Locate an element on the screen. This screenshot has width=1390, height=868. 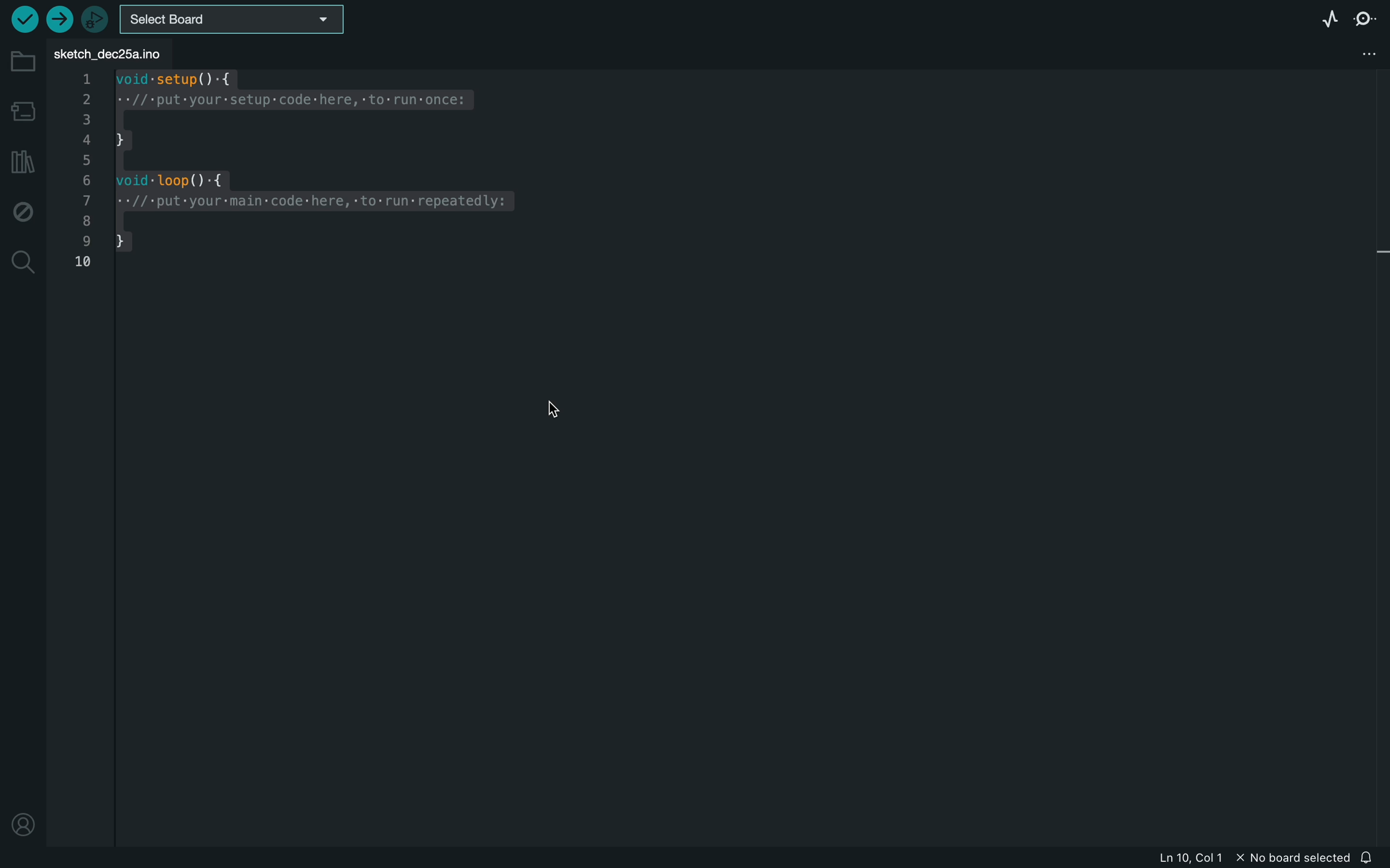
serial  monitor is located at coordinates (1365, 19).